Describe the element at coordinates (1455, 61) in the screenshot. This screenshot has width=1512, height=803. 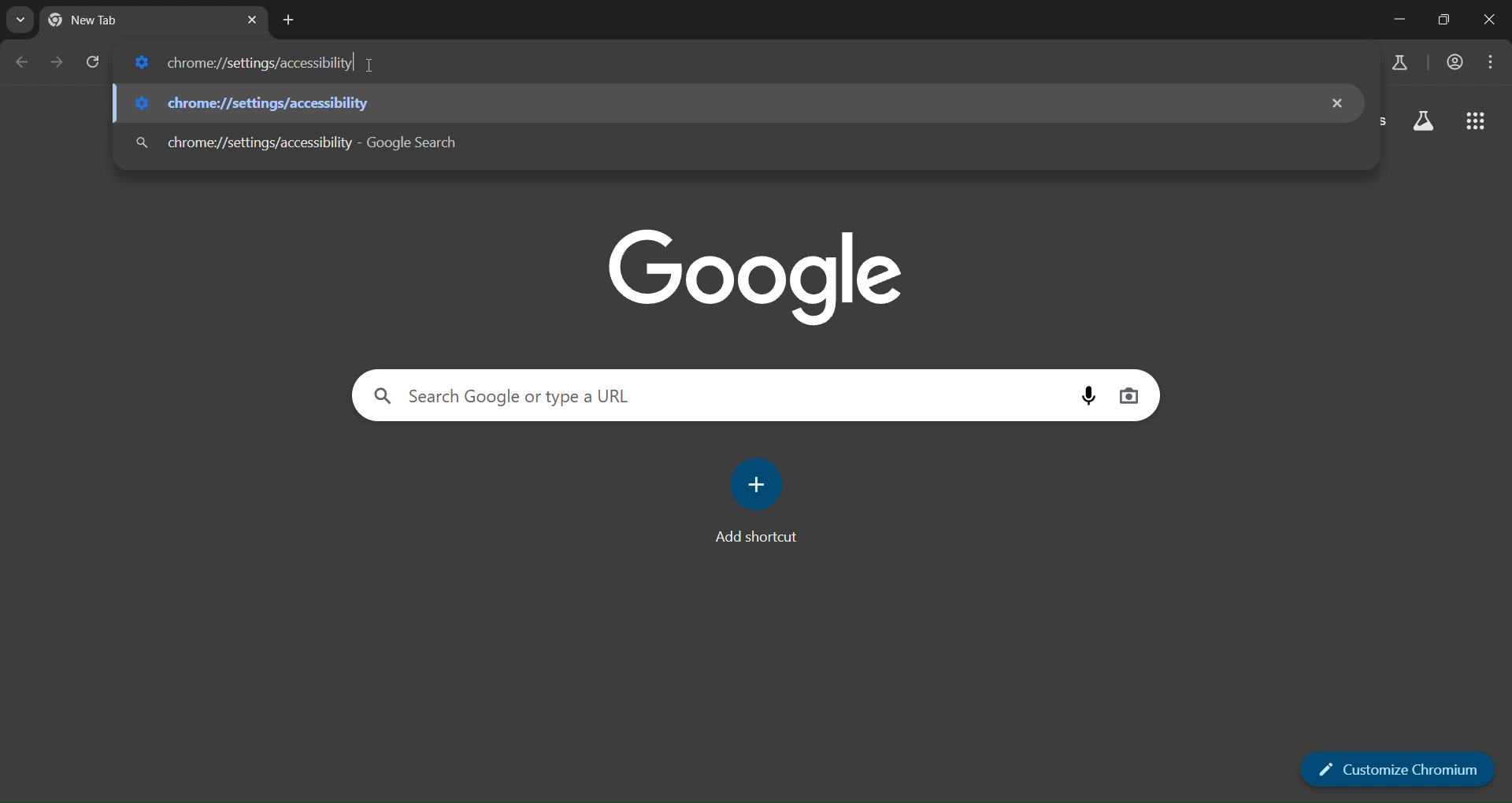
I see `accounts` at that location.